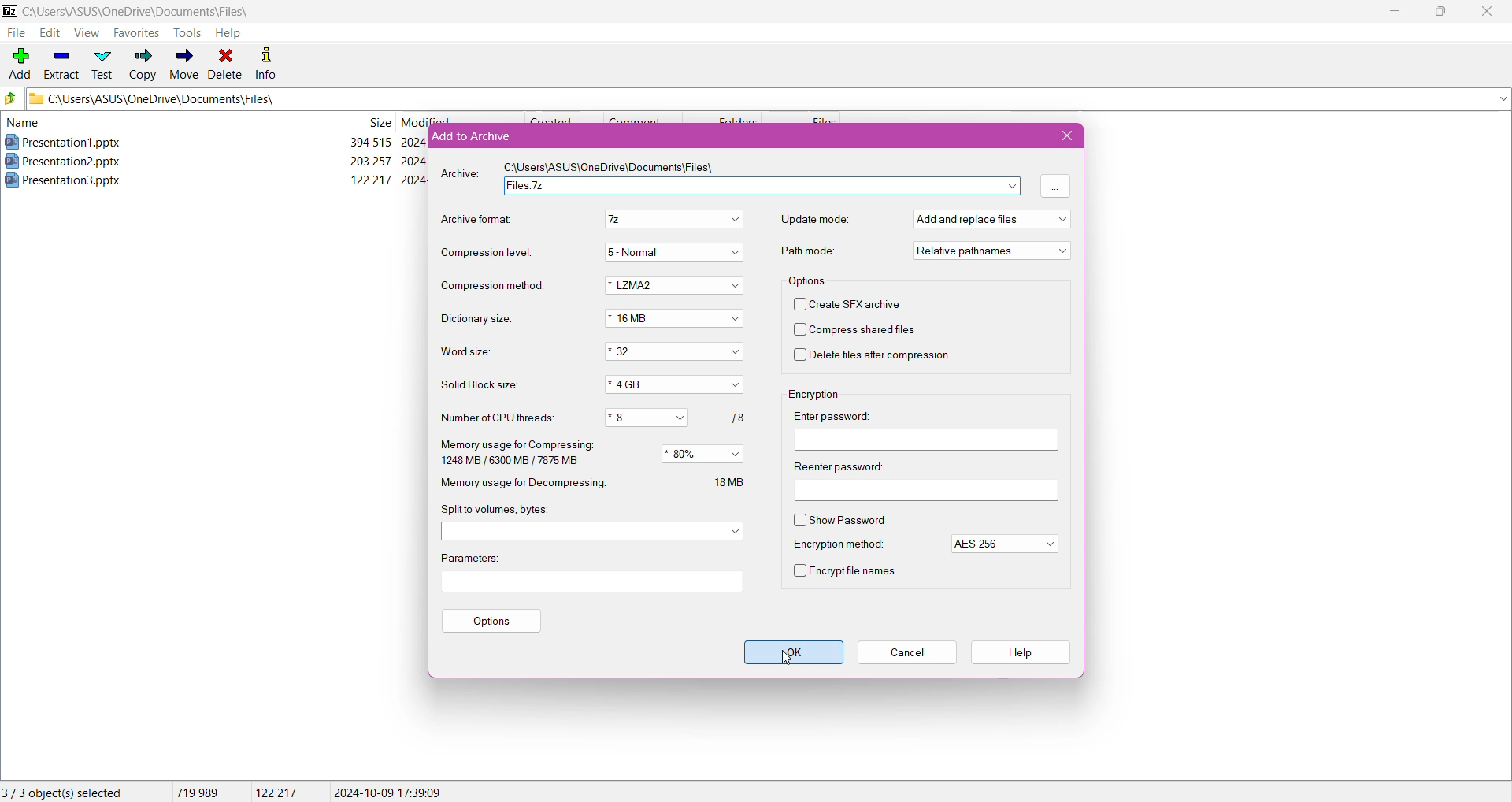  Describe the element at coordinates (228, 33) in the screenshot. I see `Help` at that location.